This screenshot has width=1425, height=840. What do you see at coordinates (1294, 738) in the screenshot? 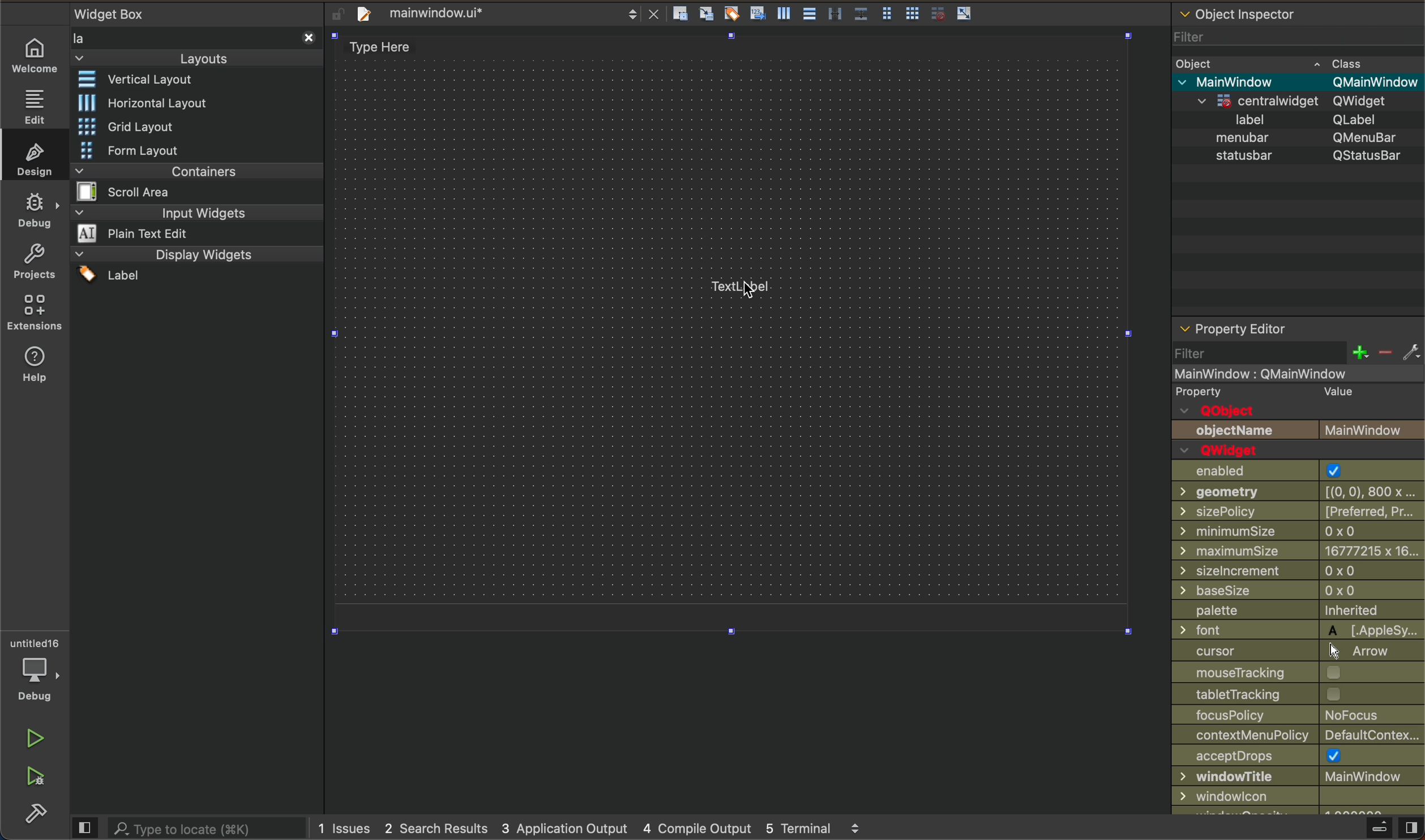
I see `contextual` at bounding box center [1294, 738].